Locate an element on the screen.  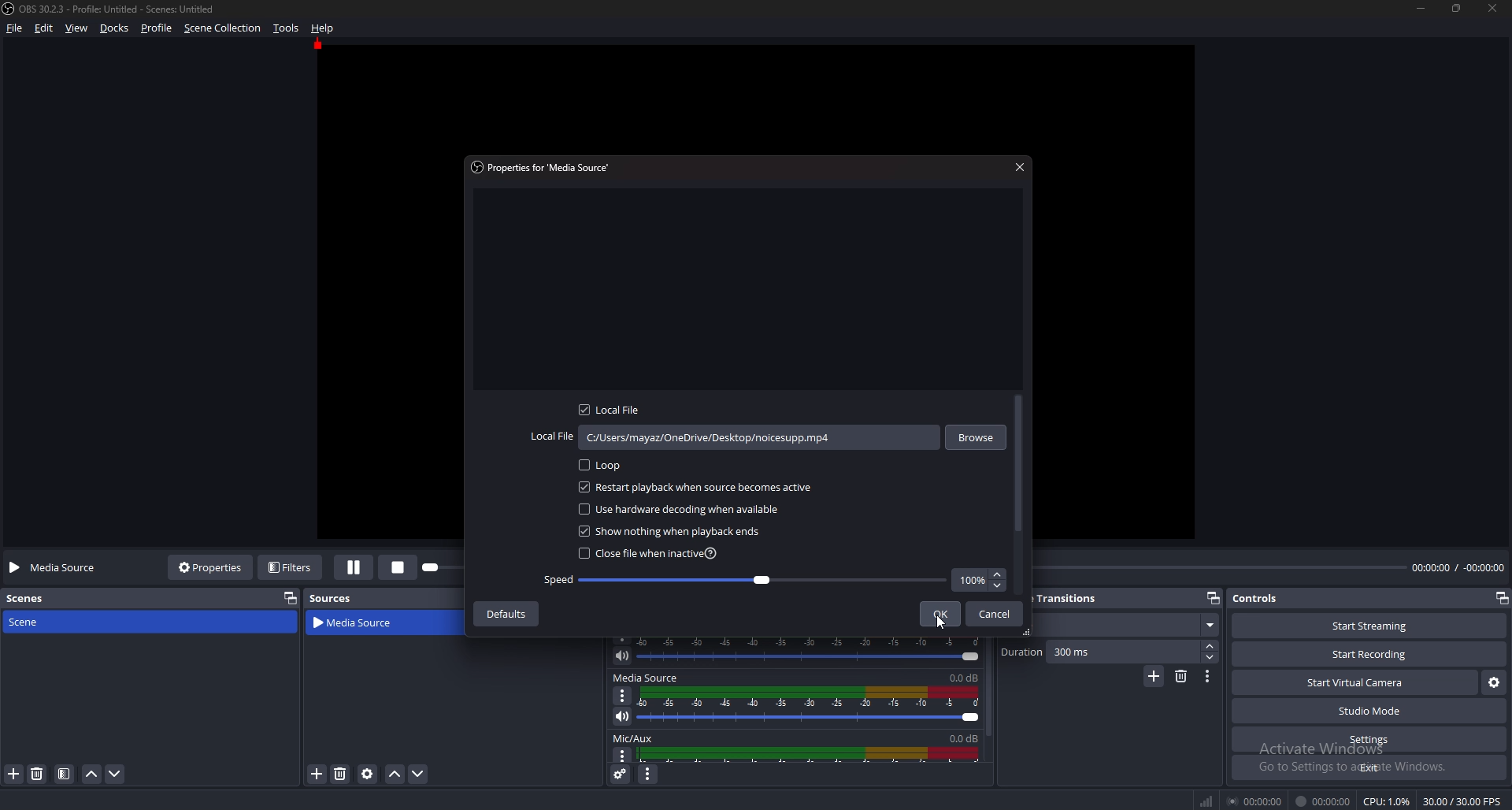
Controls  is located at coordinates (1258, 598).